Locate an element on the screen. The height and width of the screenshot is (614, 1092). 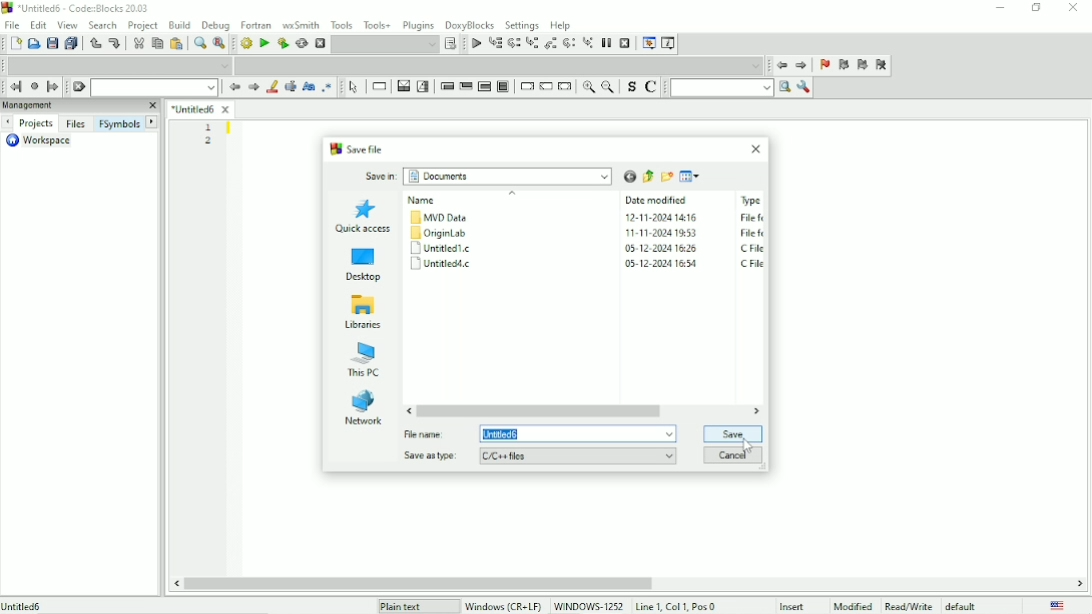
Paste is located at coordinates (176, 44).